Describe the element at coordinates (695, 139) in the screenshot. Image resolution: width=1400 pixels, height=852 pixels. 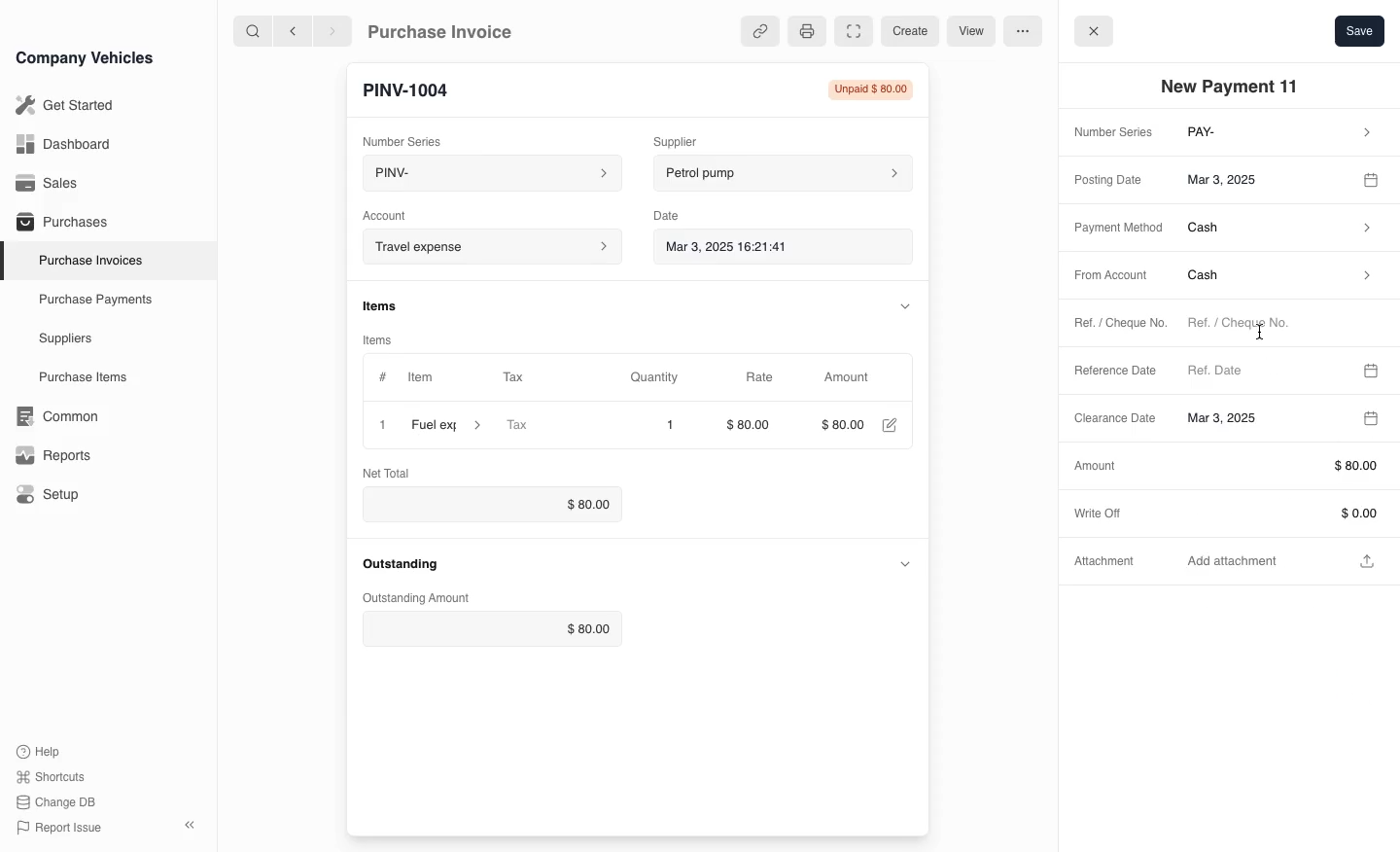
I see `Supplier` at that location.